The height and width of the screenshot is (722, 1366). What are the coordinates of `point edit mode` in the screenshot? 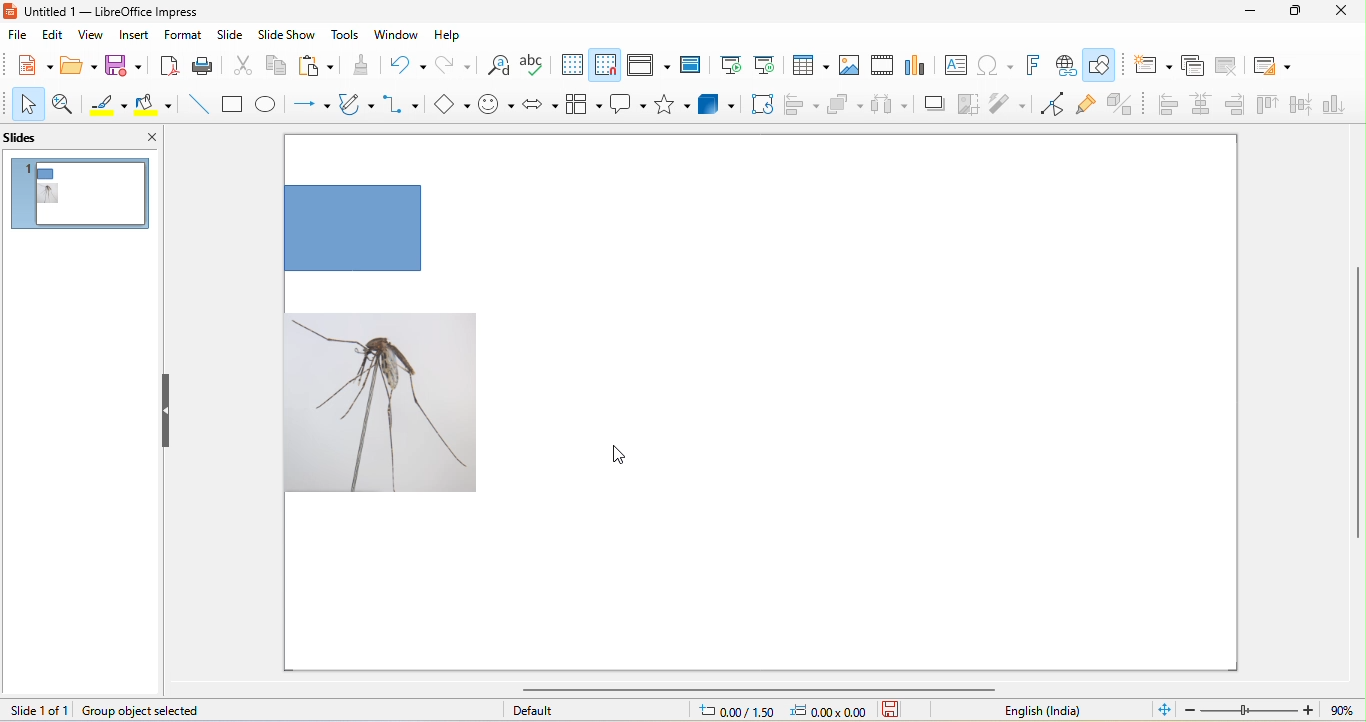 It's located at (1052, 105).